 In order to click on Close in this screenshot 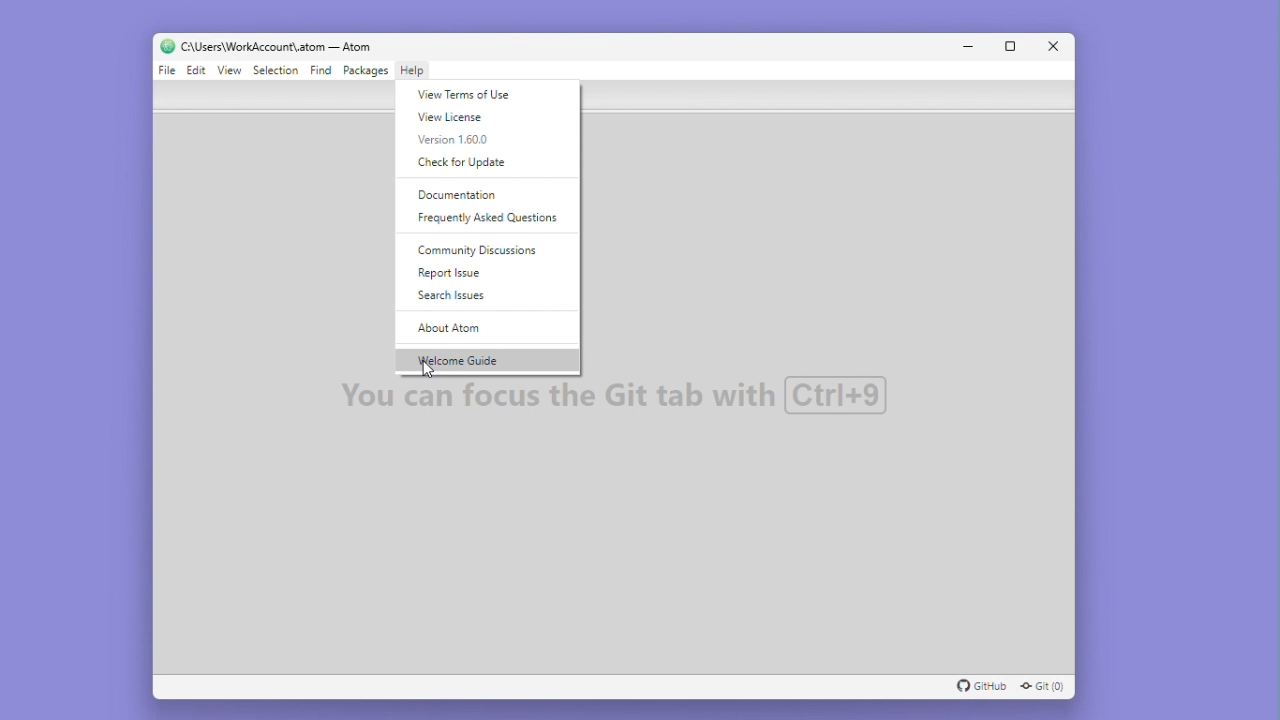, I will do `click(1051, 48)`.